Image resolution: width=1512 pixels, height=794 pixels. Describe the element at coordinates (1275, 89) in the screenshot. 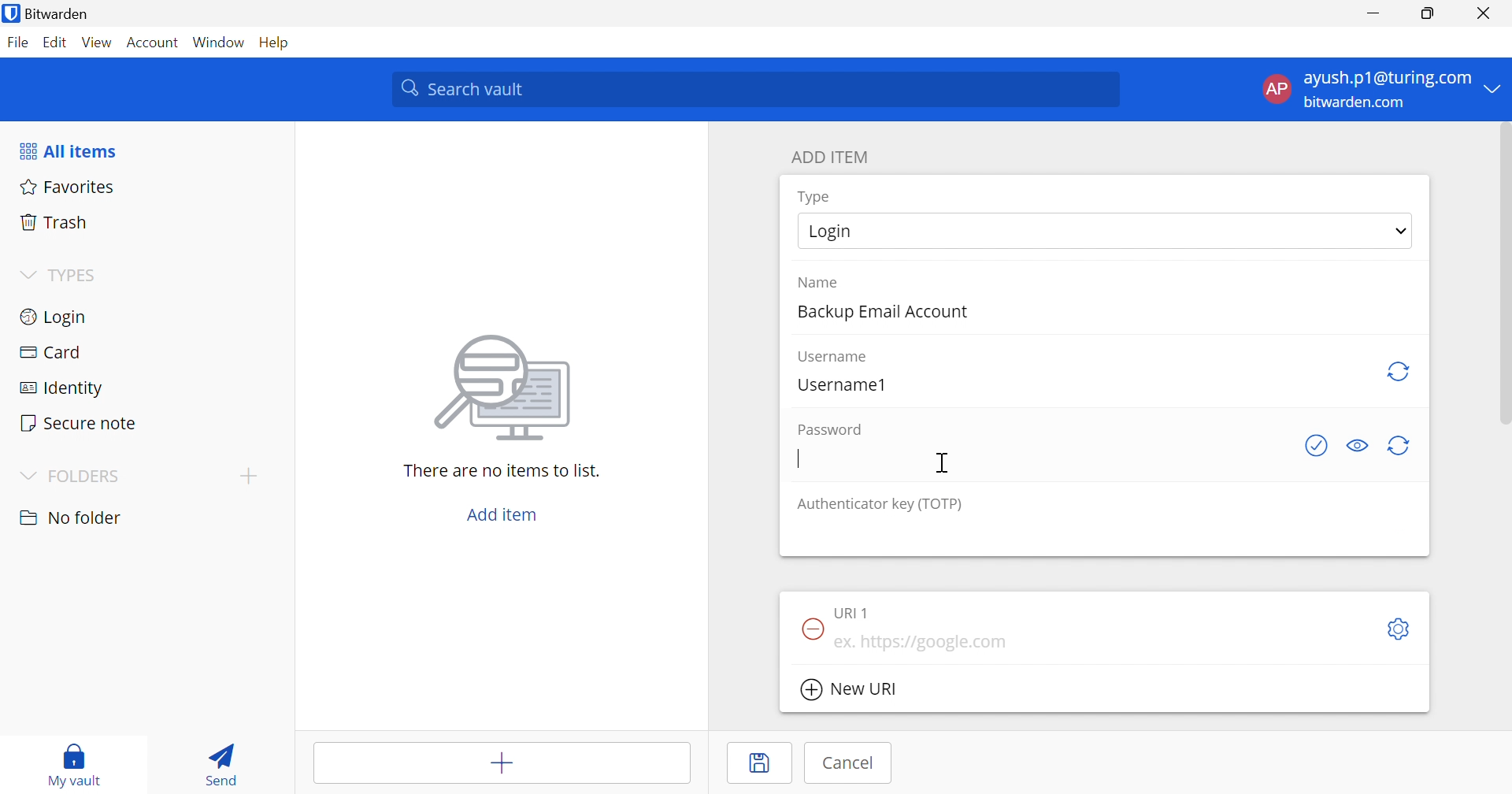

I see `AP` at that location.